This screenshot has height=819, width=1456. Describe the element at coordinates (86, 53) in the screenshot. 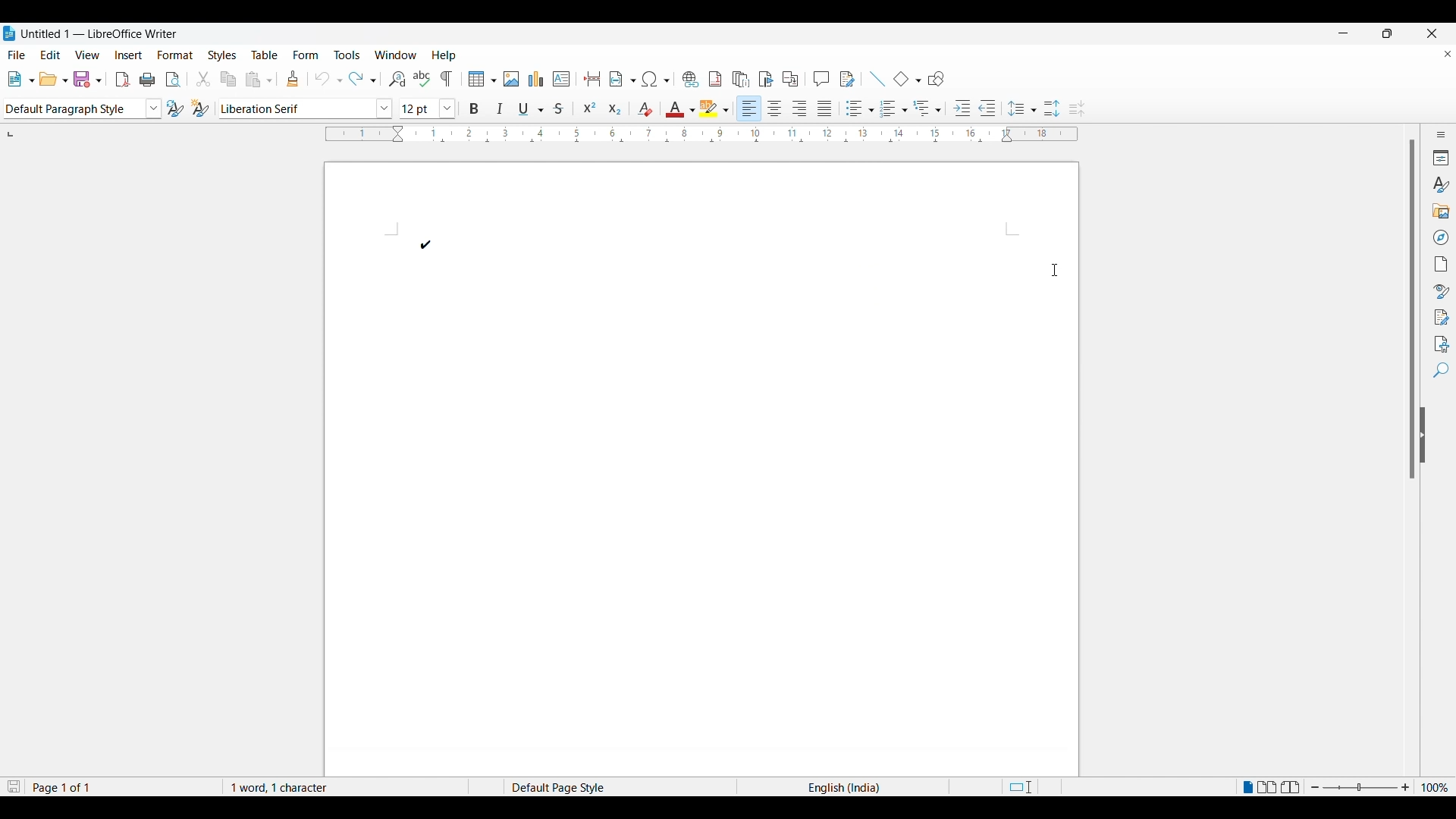

I see `View` at that location.